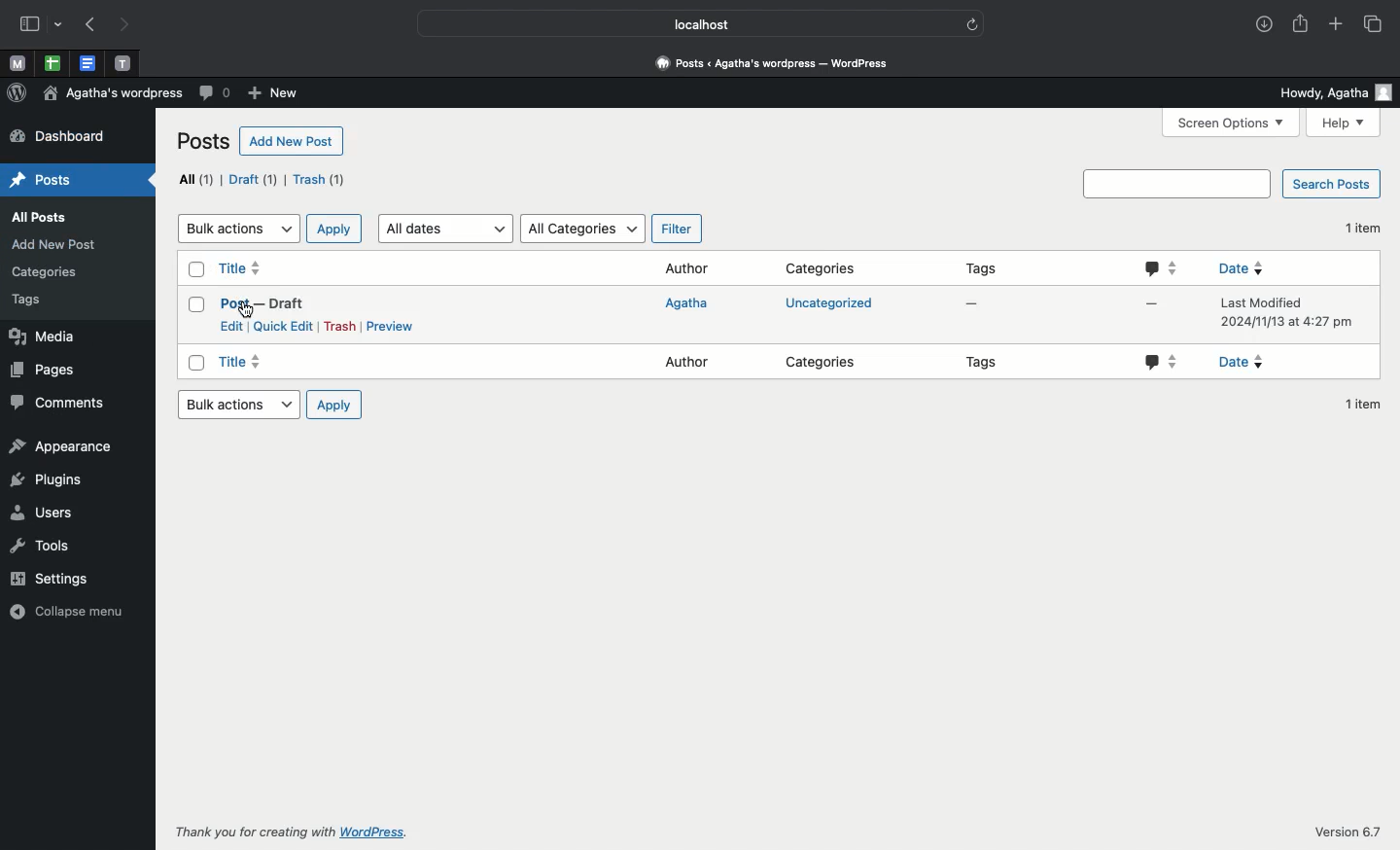  I want to click on Appearance, so click(60, 447).